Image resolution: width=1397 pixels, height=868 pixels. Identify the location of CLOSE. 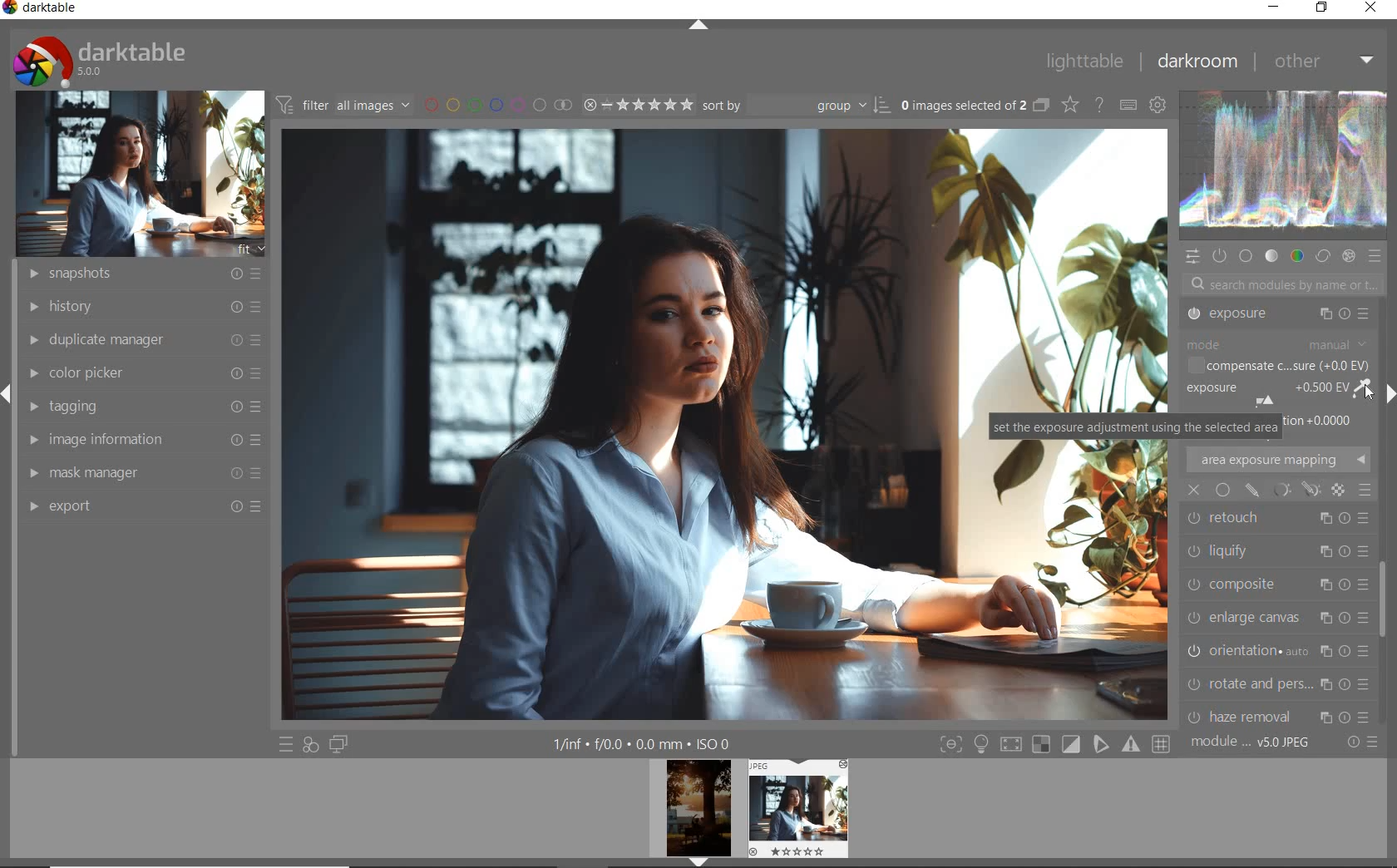
(1370, 8).